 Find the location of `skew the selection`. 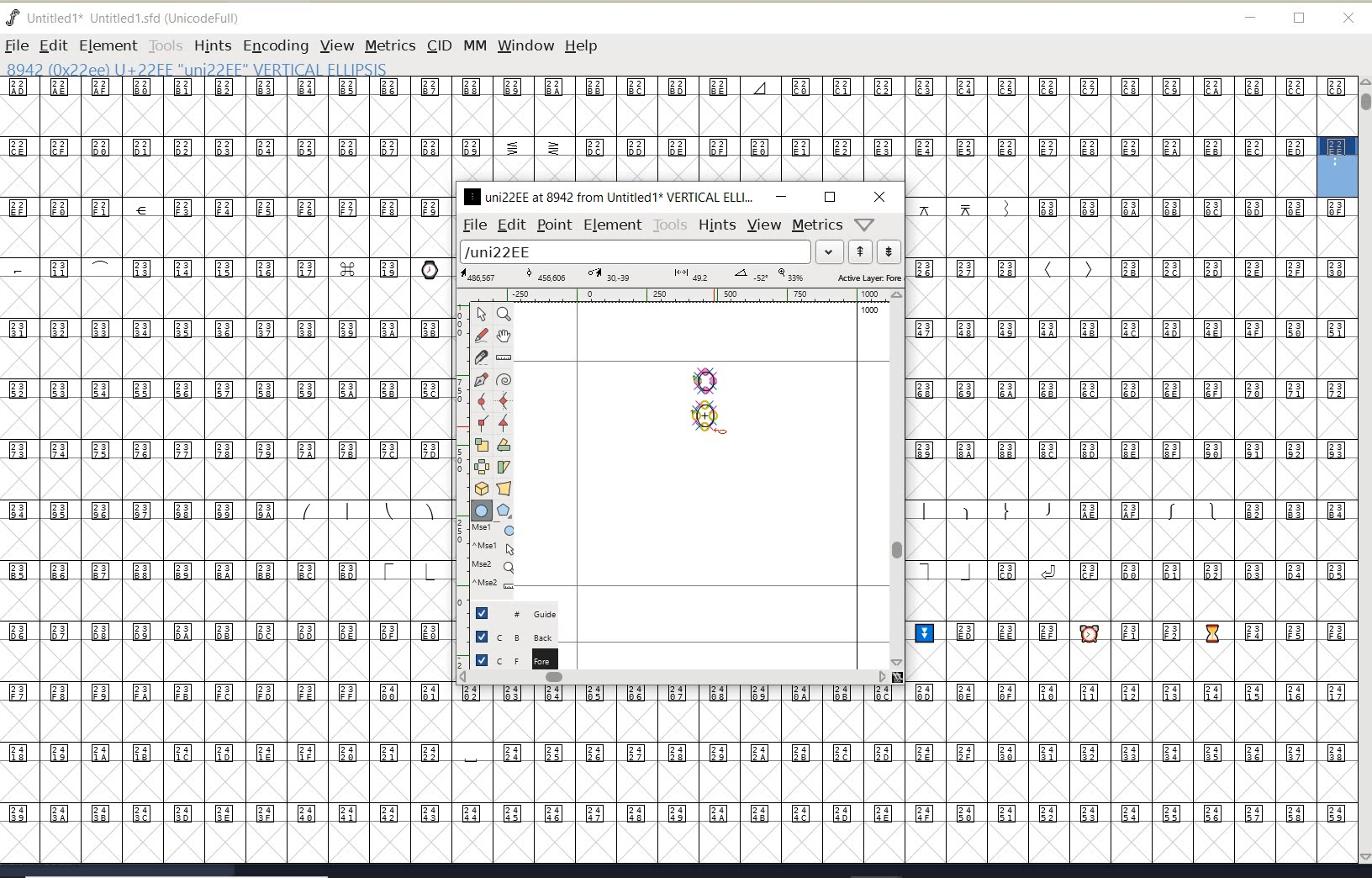

skew the selection is located at coordinates (503, 468).